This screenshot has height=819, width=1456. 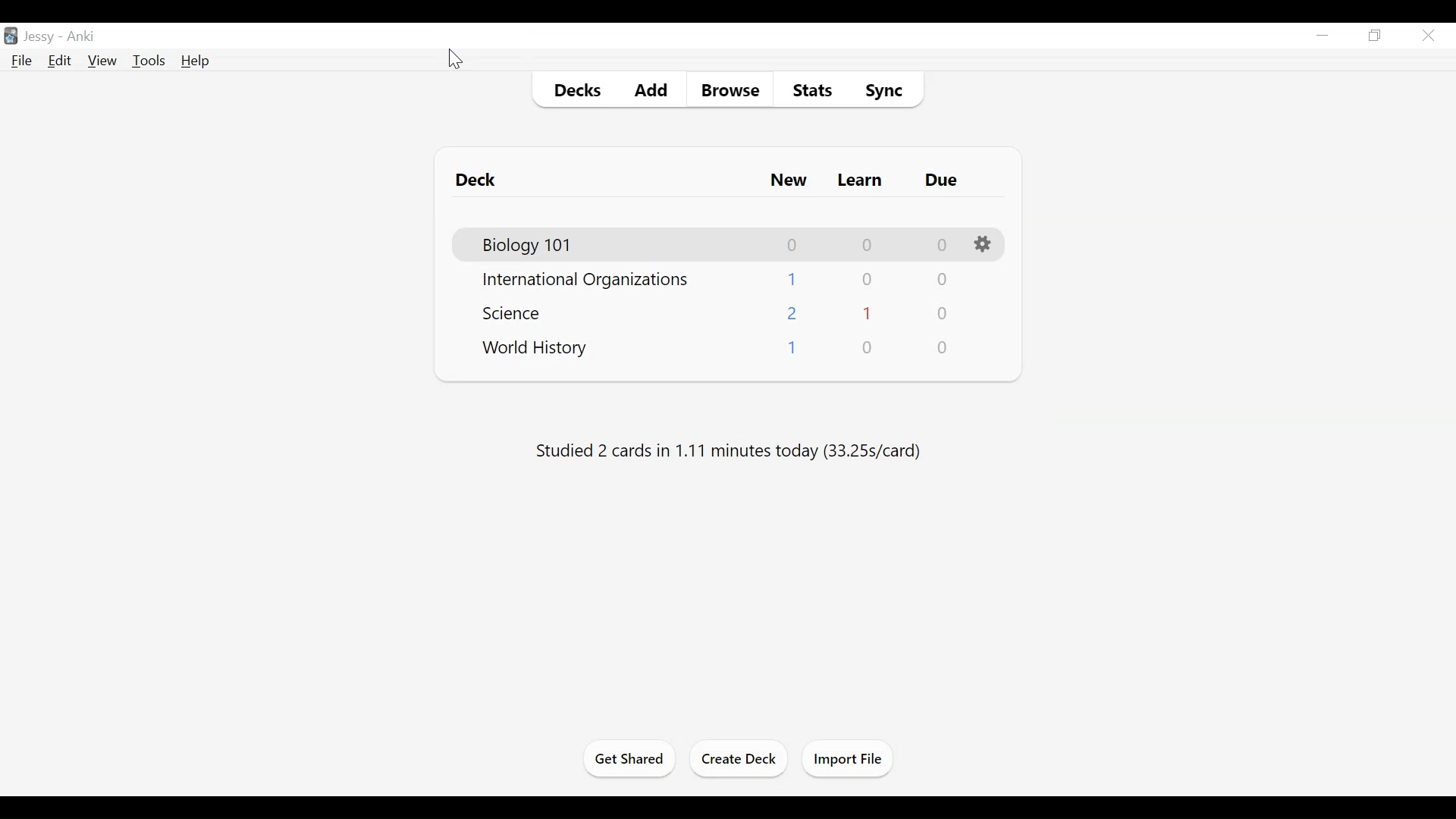 I want to click on Decks, so click(x=575, y=90).